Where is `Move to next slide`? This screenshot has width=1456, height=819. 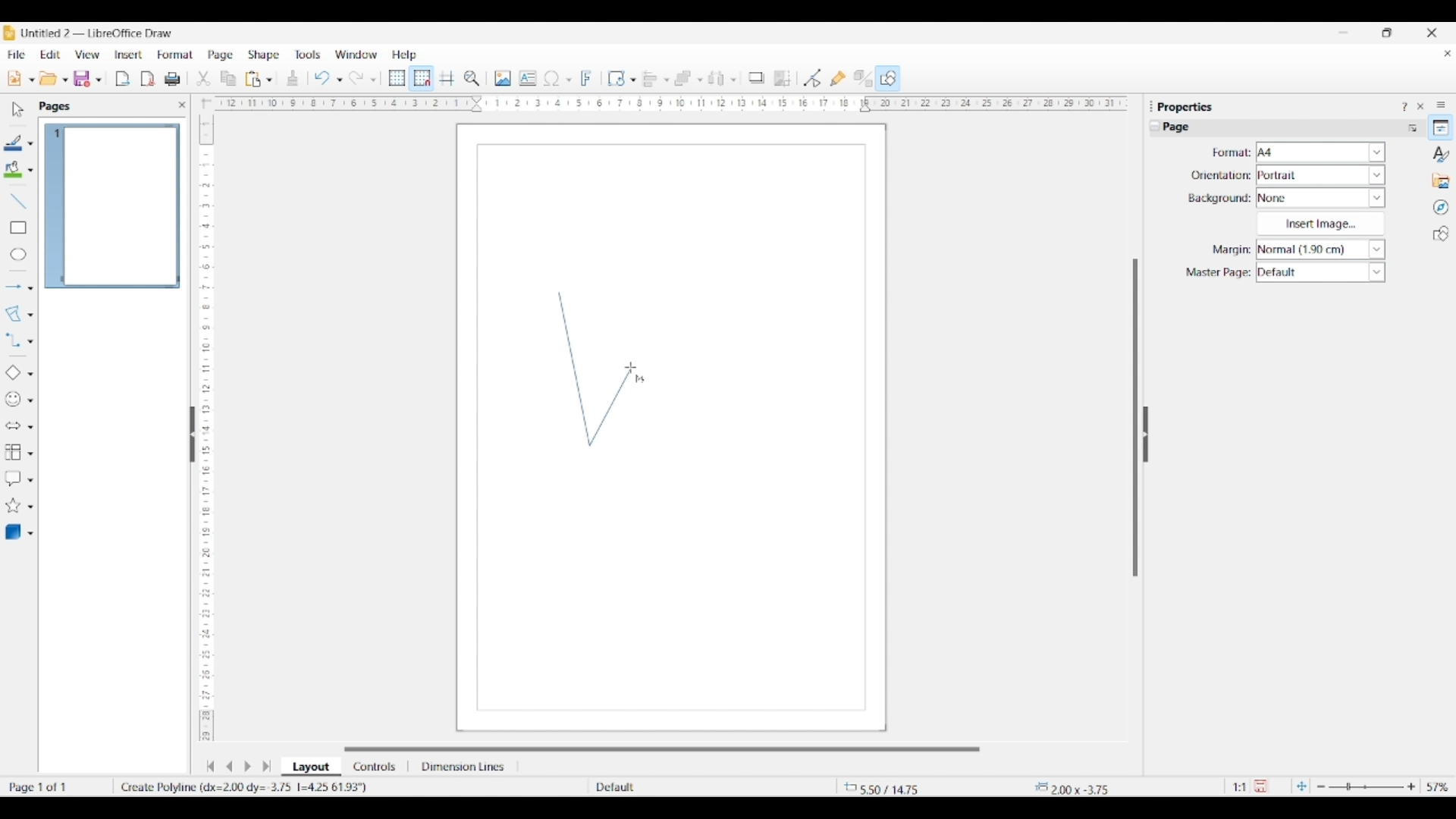
Move to next slide is located at coordinates (247, 767).